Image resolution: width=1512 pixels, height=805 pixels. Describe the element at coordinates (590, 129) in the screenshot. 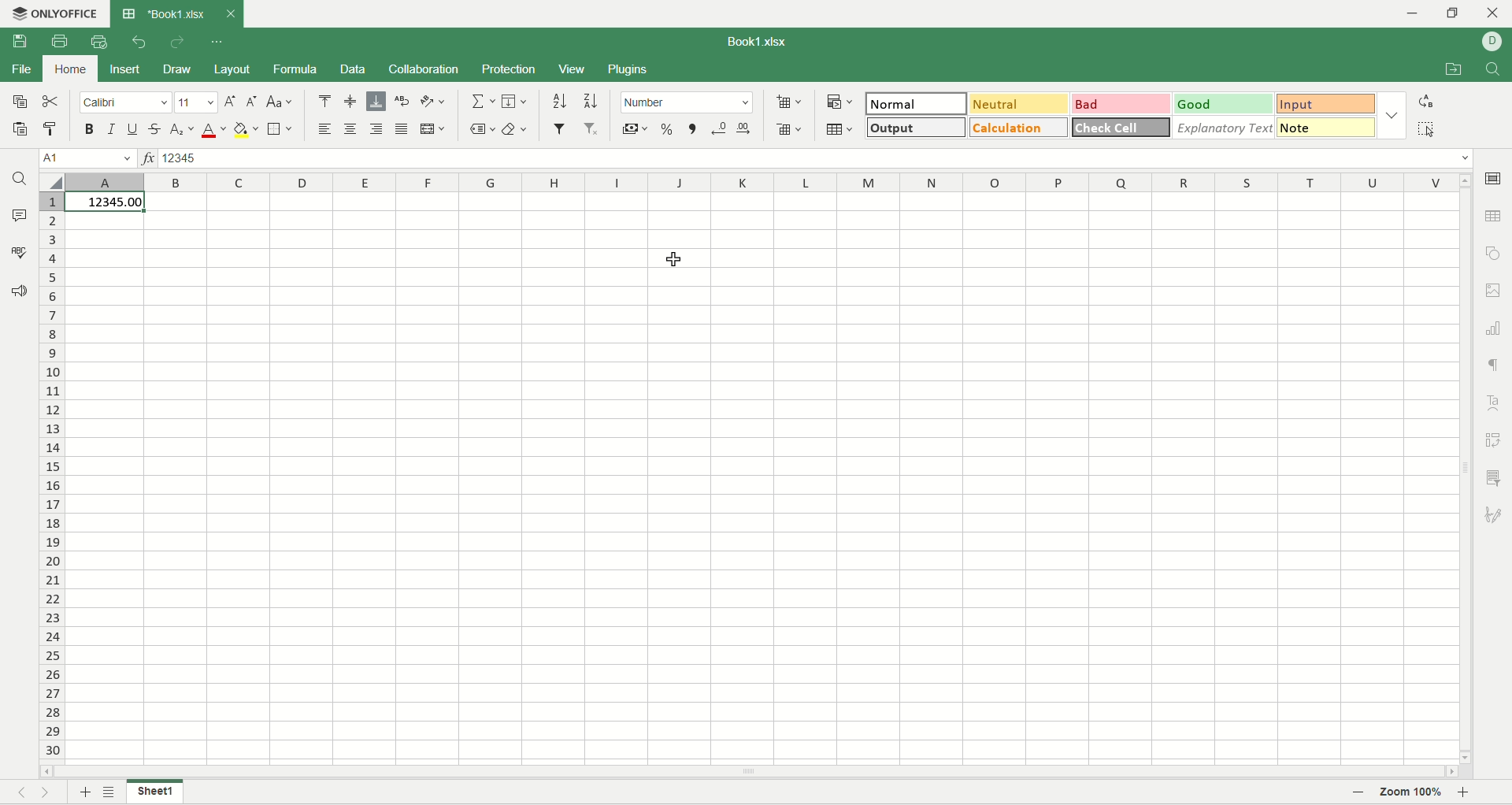

I see `remove filter` at that location.